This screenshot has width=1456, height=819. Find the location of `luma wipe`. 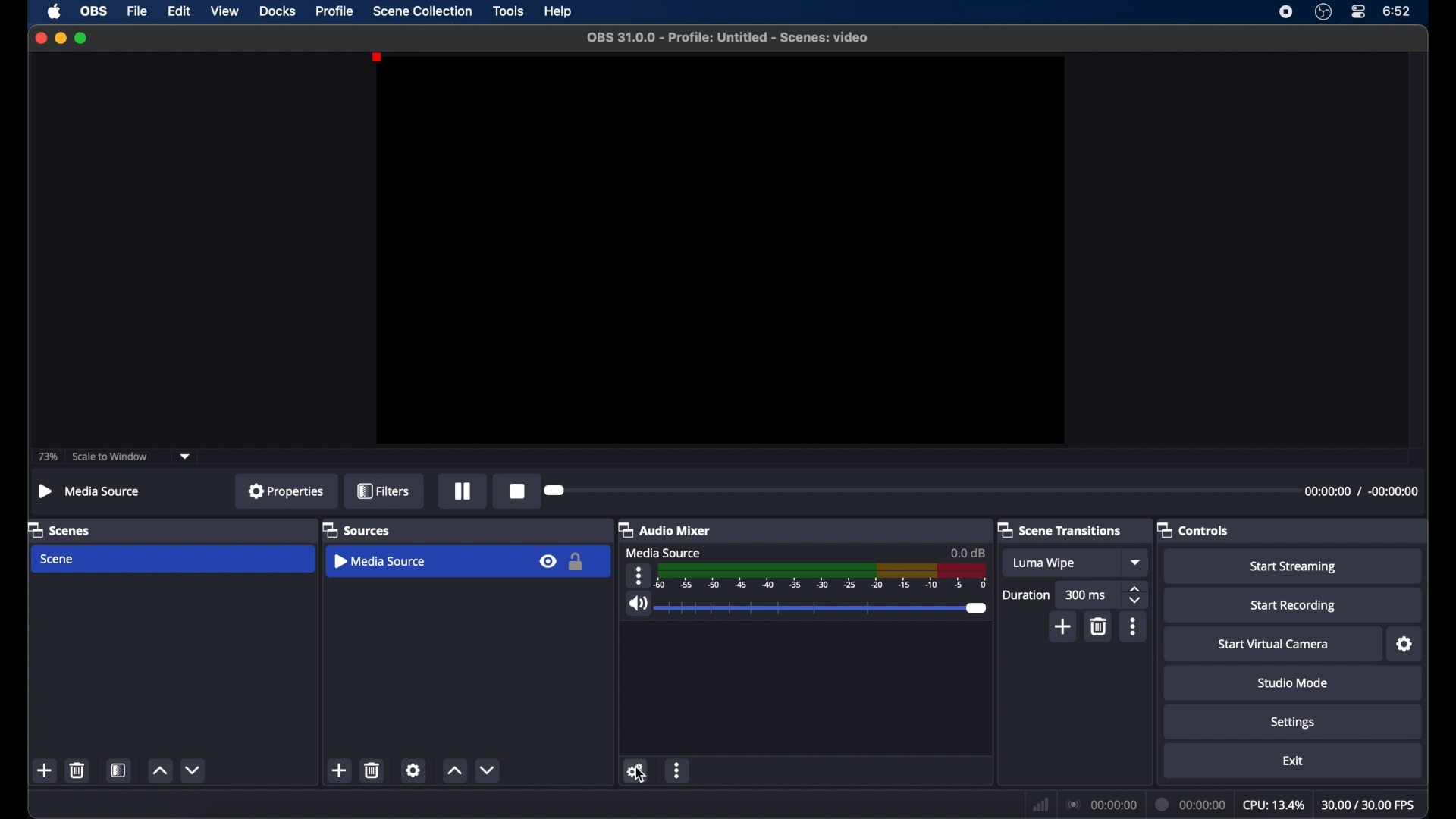

luma wipe is located at coordinates (1045, 564).